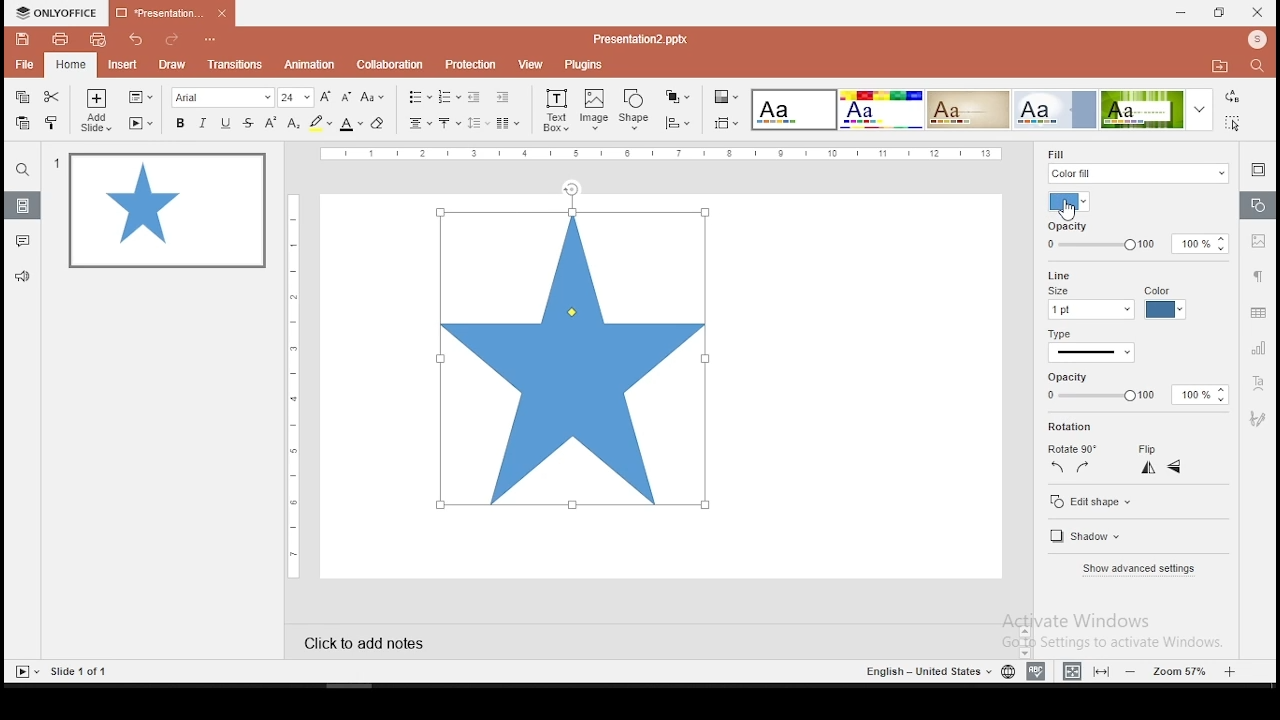 The width and height of the screenshot is (1280, 720). Describe the element at coordinates (22, 241) in the screenshot. I see `comments` at that location.